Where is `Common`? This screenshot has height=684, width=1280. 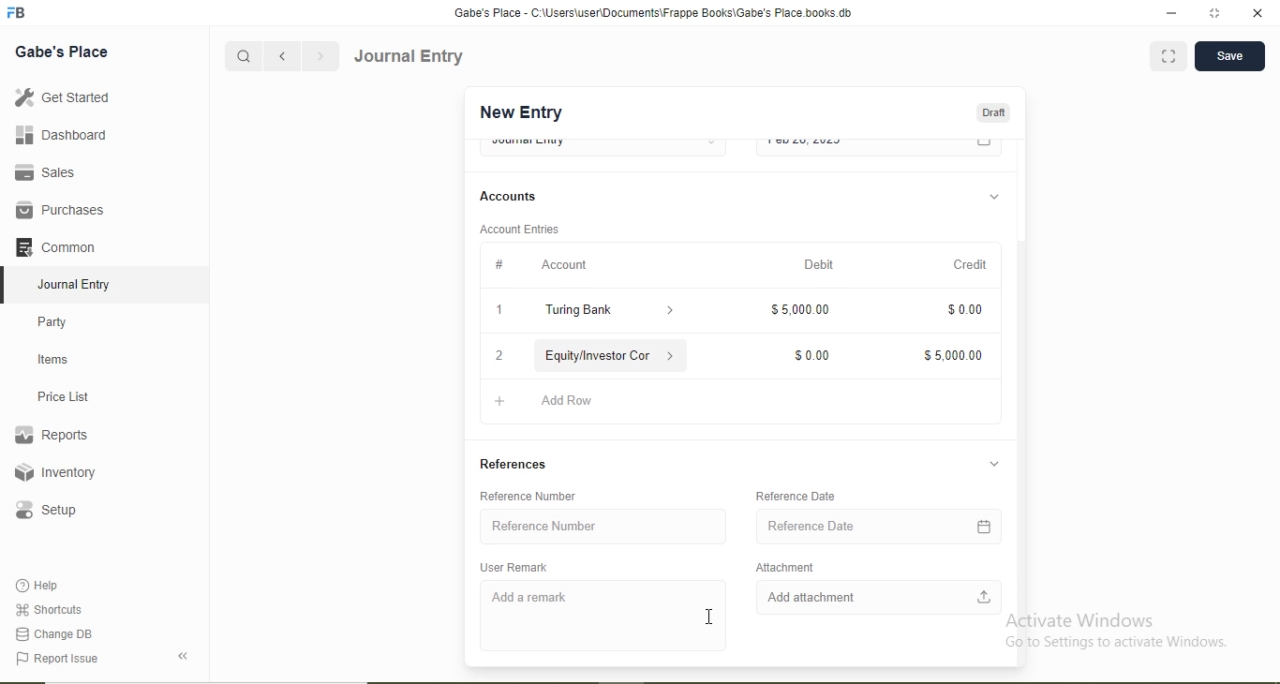 Common is located at coordinates (54, 246).